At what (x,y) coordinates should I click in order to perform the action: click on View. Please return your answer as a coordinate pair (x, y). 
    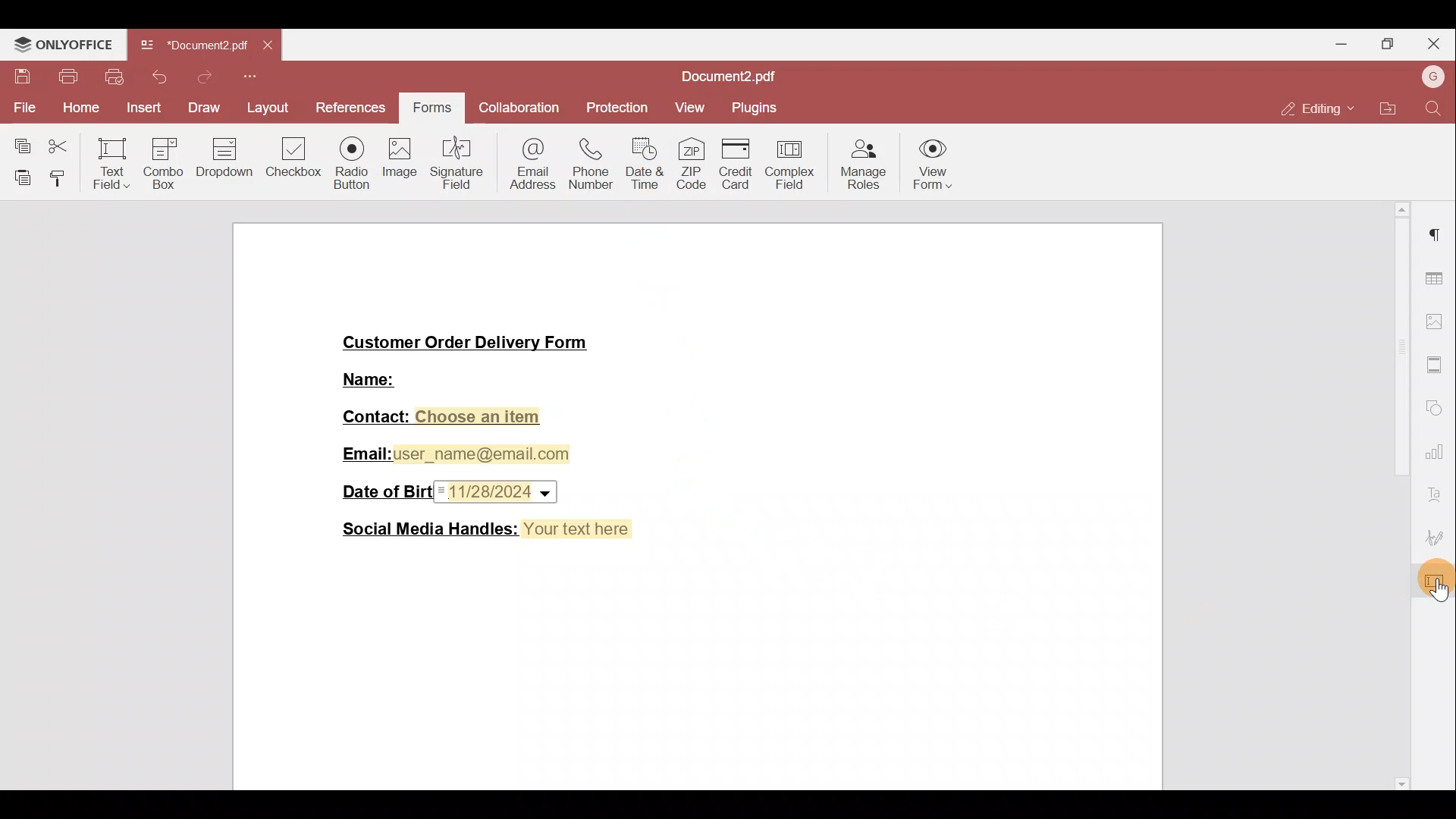
    Looking at the image, I should click on (695, 105).